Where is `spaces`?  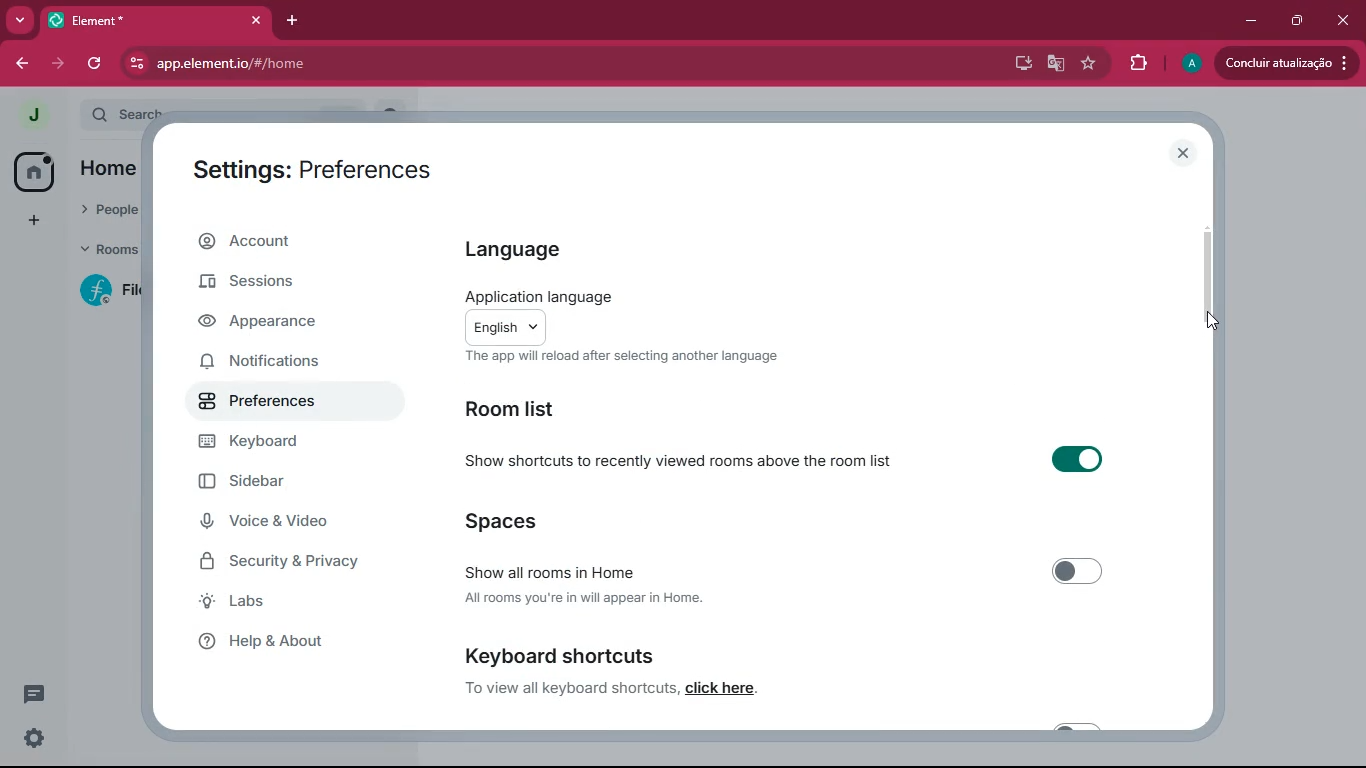 spaces is located at coordinates (517, 521).